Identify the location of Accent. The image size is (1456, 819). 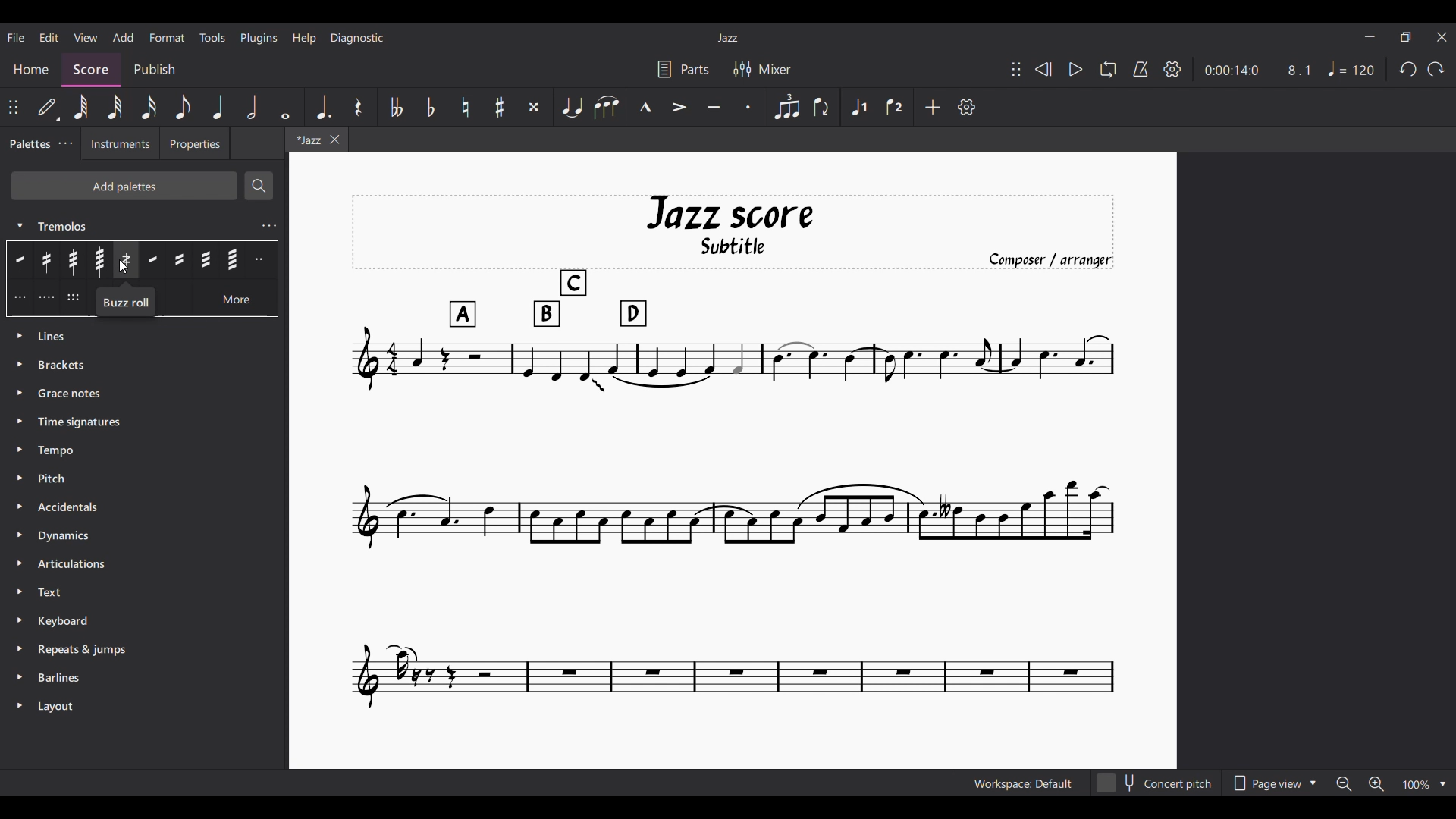
(679, 107).